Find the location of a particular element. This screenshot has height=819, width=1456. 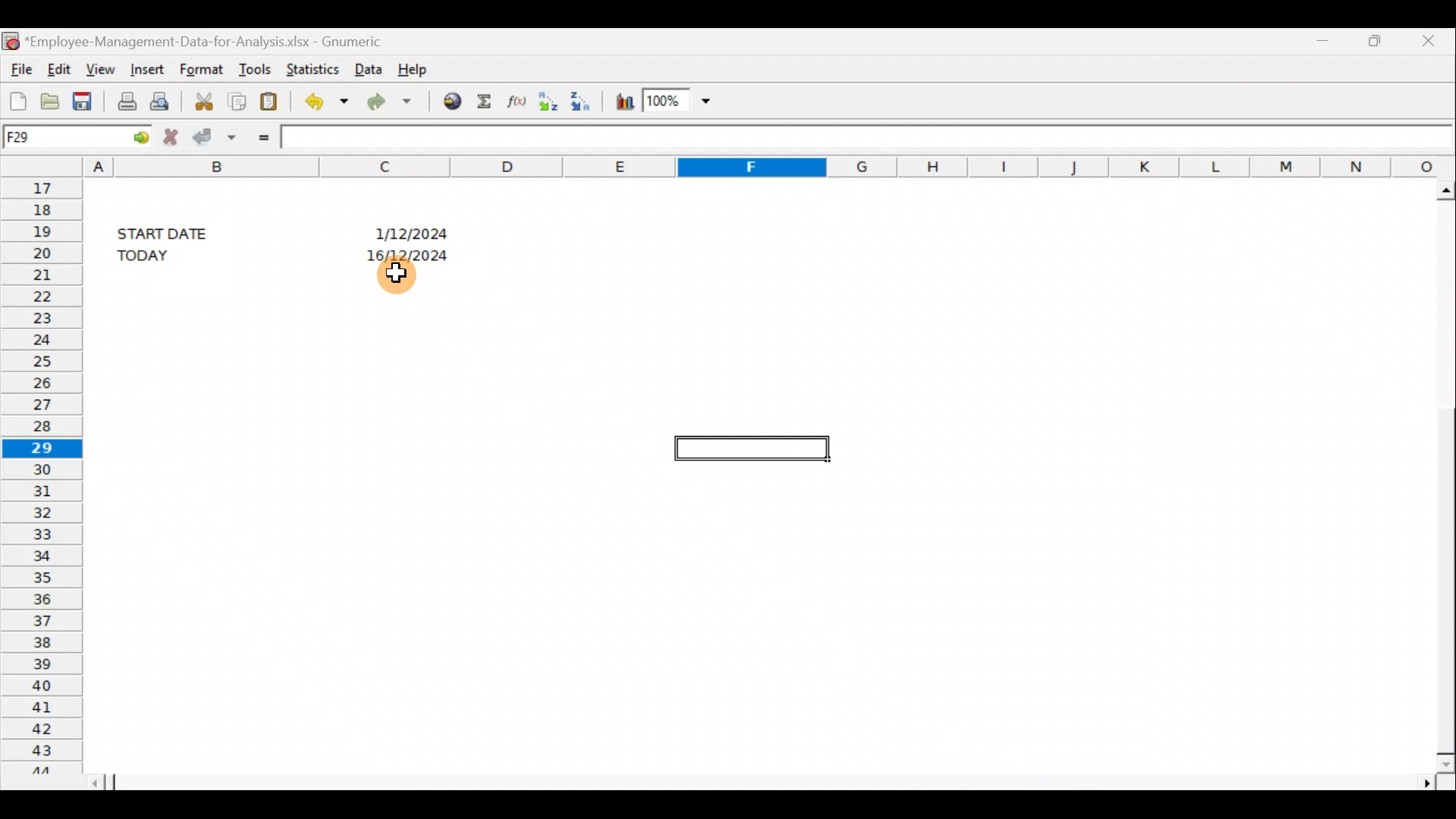

Help is located at coordinates (423, 68).